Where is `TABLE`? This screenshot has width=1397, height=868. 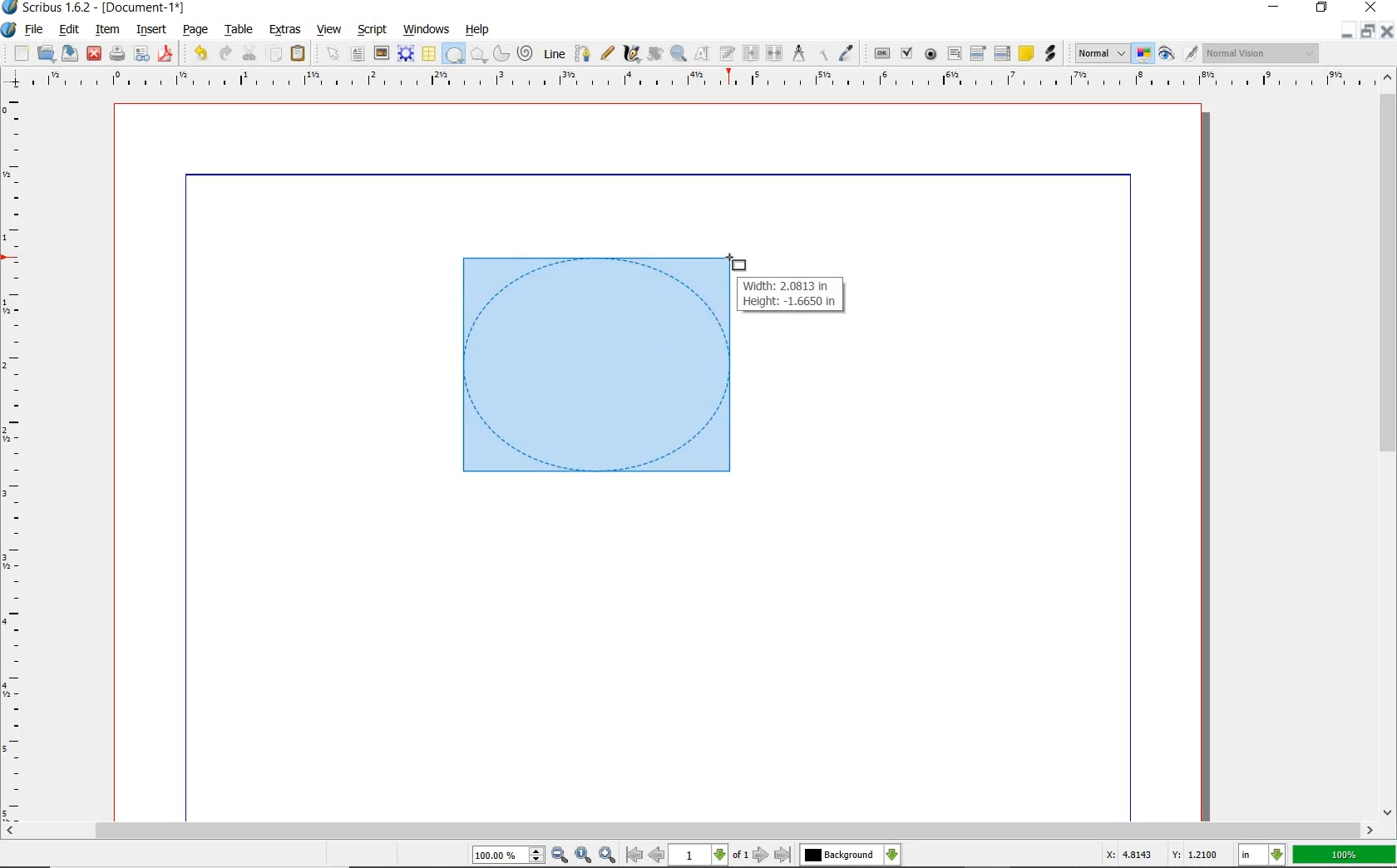
TABLE is located at coordinates (239, 30).